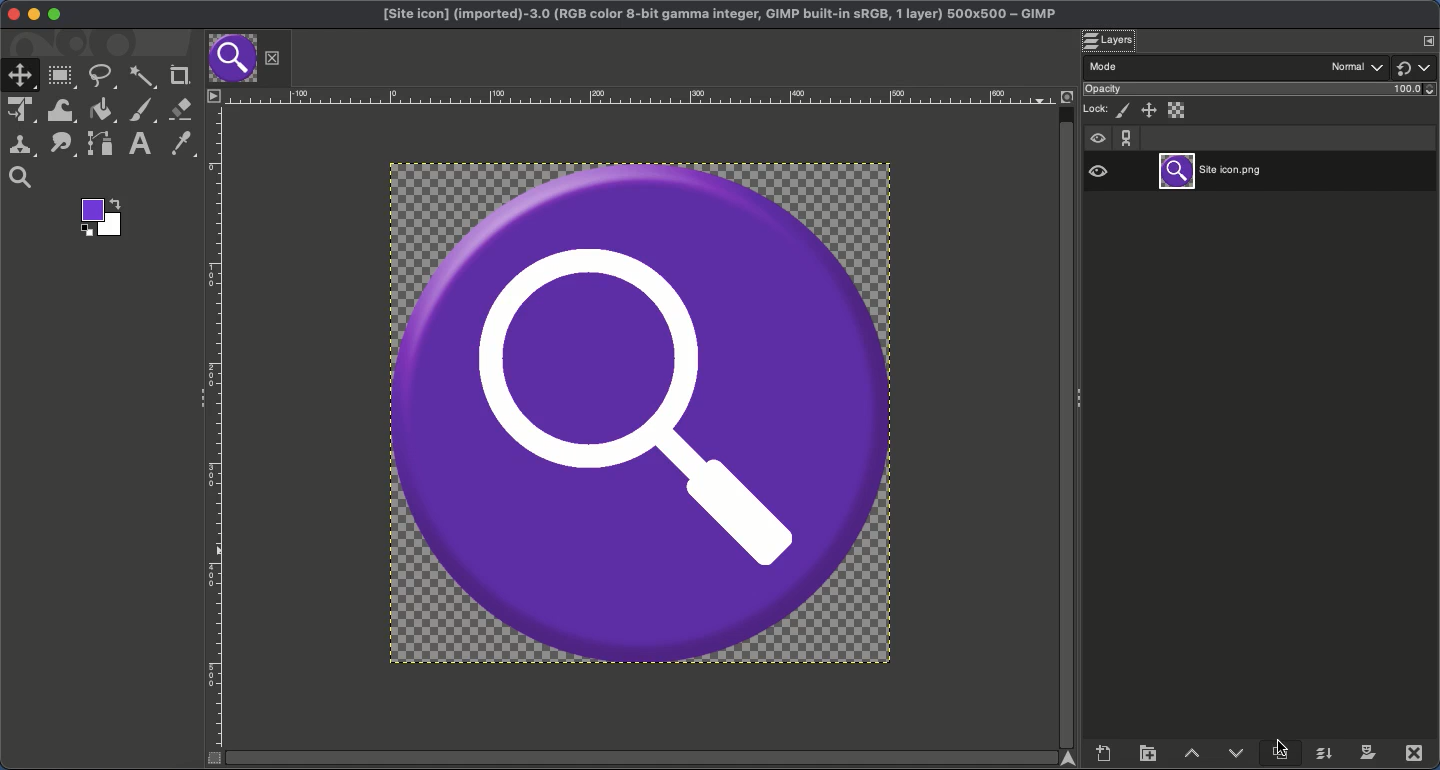  What do you see at coordinates (1106, 89) in the screenshot?
I see `Opacity` at bounding box center [1106, 89].